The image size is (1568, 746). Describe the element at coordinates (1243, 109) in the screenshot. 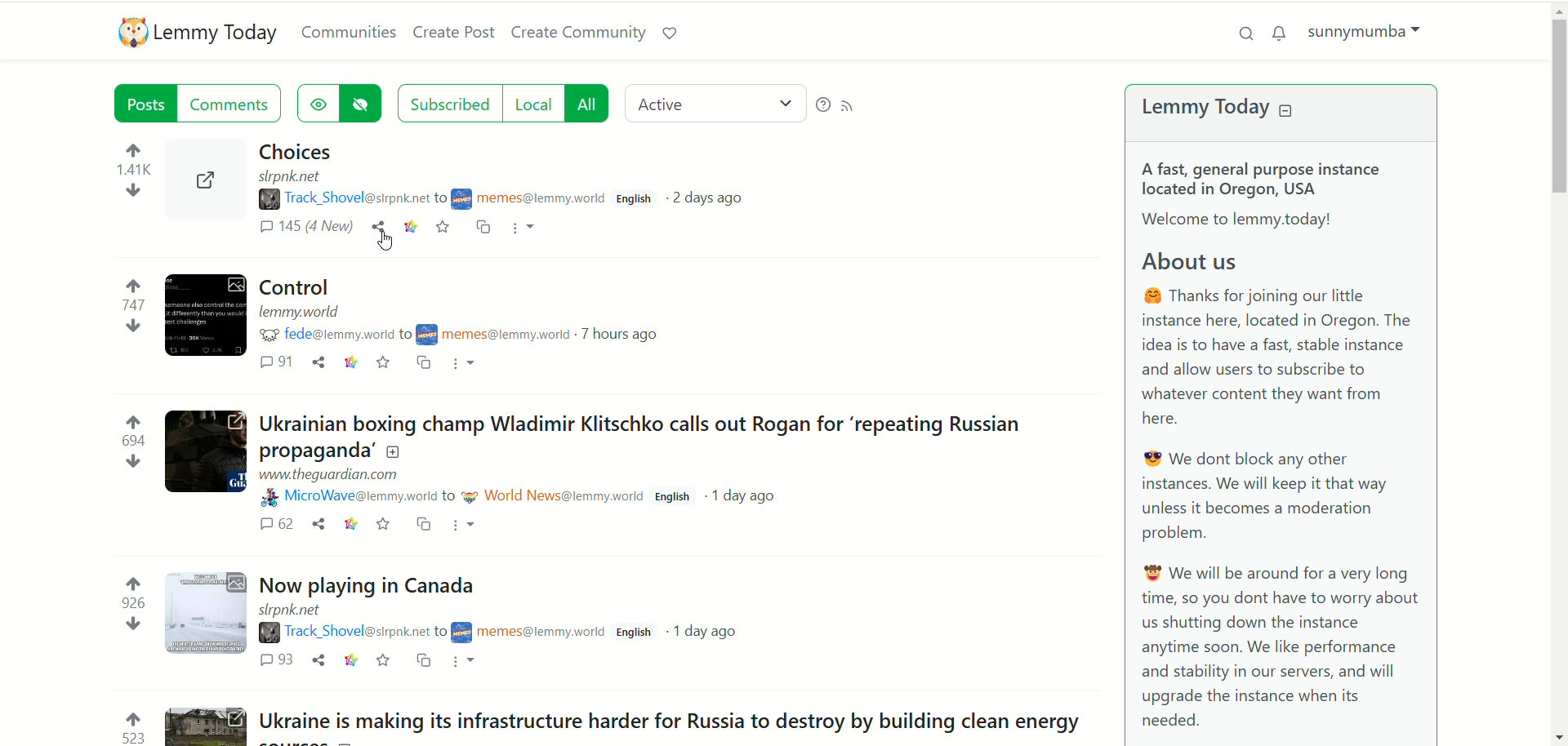

I see `lemmy today` at that location.